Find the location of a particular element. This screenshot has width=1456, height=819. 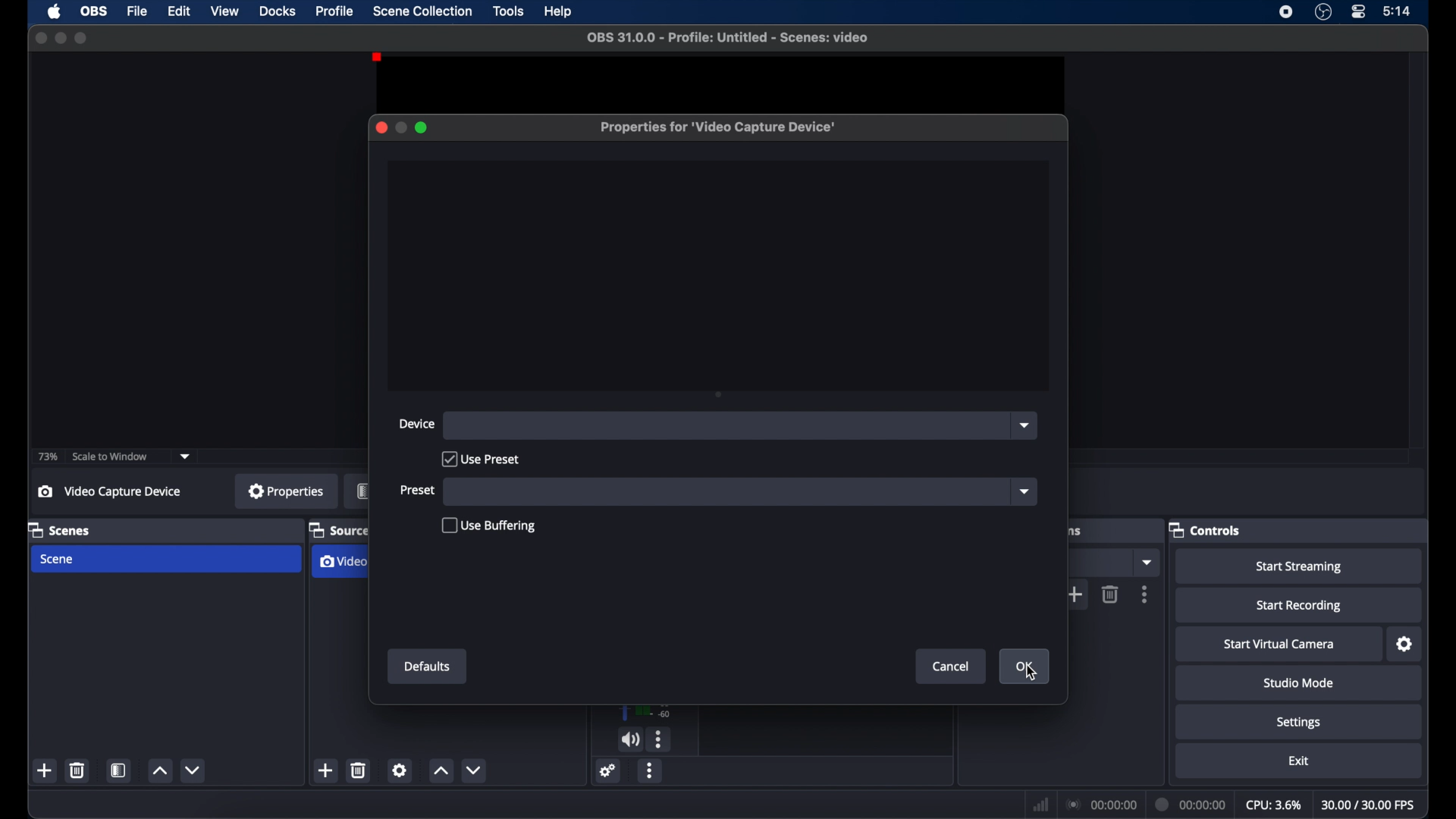

use preset is located at coordinates (481, 459).